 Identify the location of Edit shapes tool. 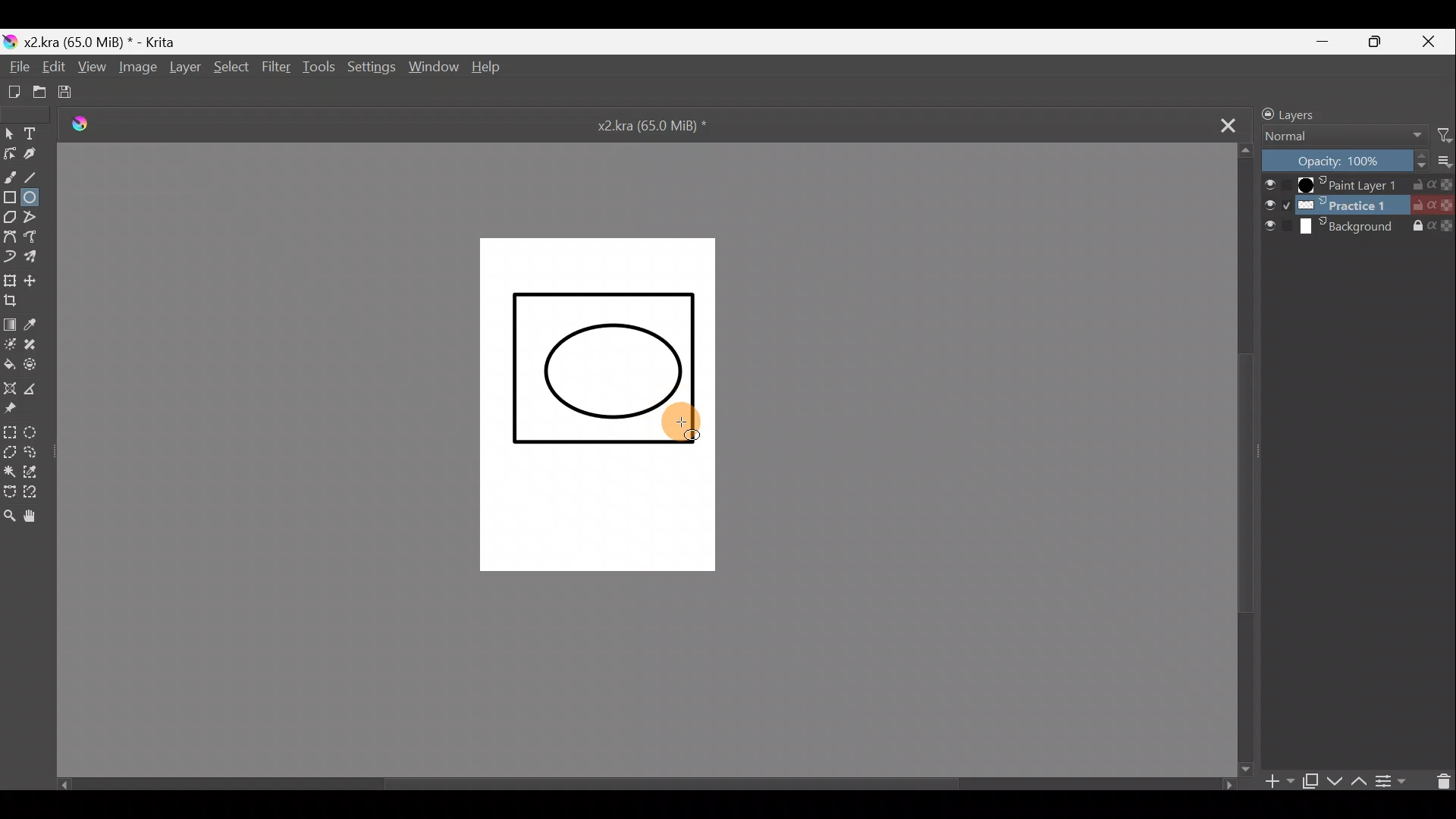
(11, 155).